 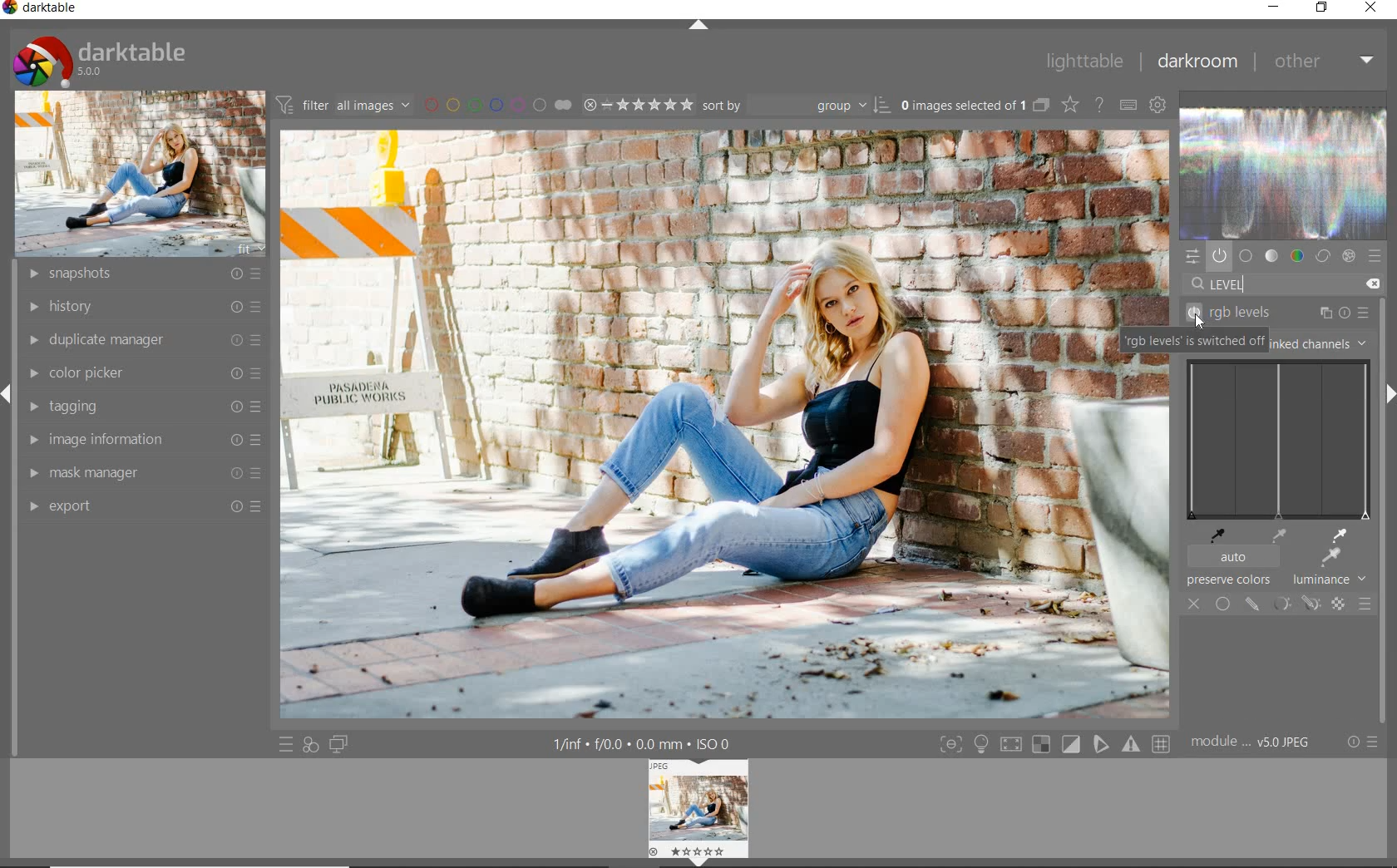 I want to click on Image preview, so click(x=696, y=813).